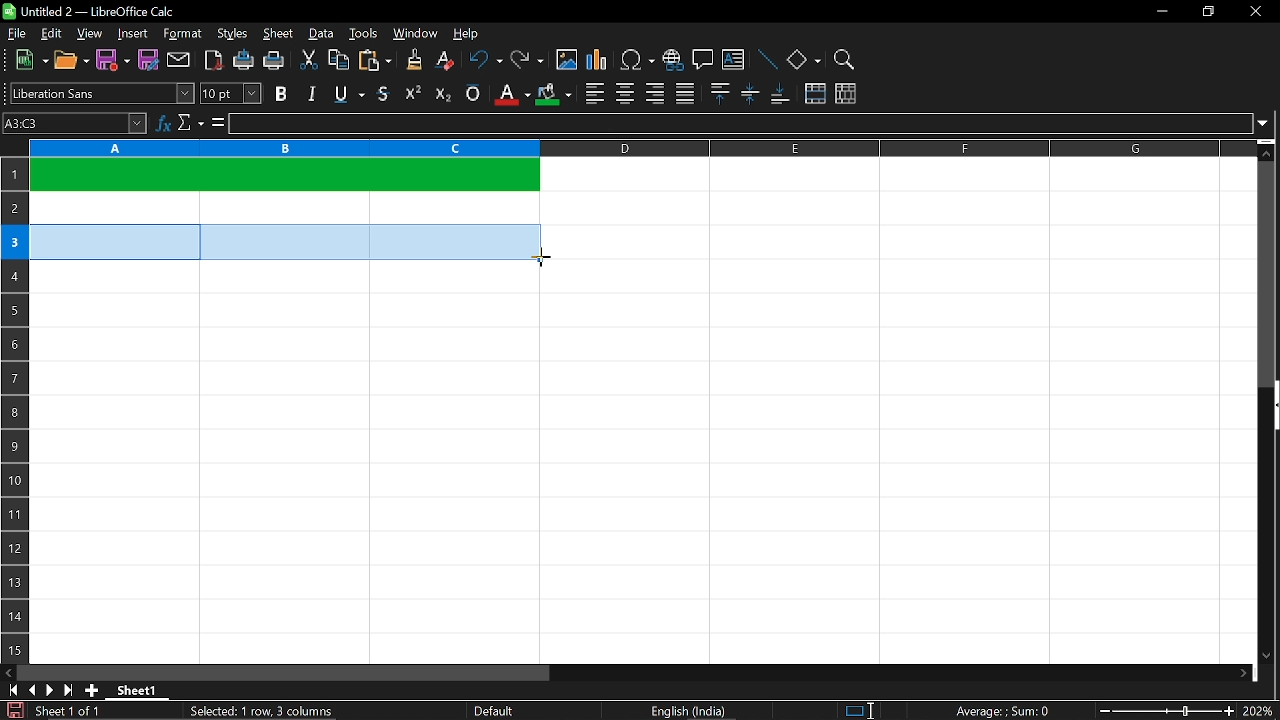  What do you see at coordinates (133, 34) in the screenshot?
I see `insert` at bounding box center [133, 34].